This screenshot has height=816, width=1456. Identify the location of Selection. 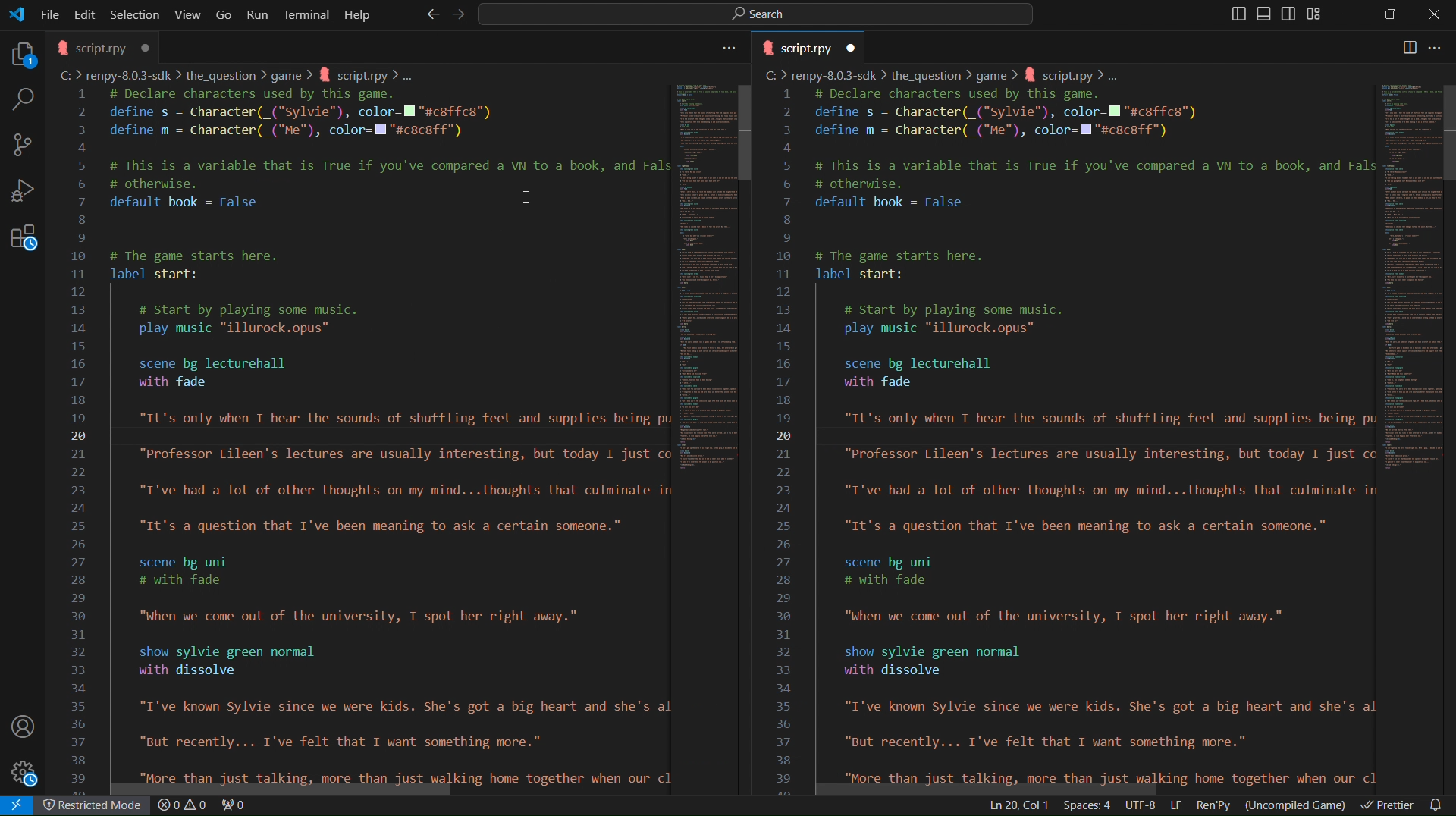
(135, 14).